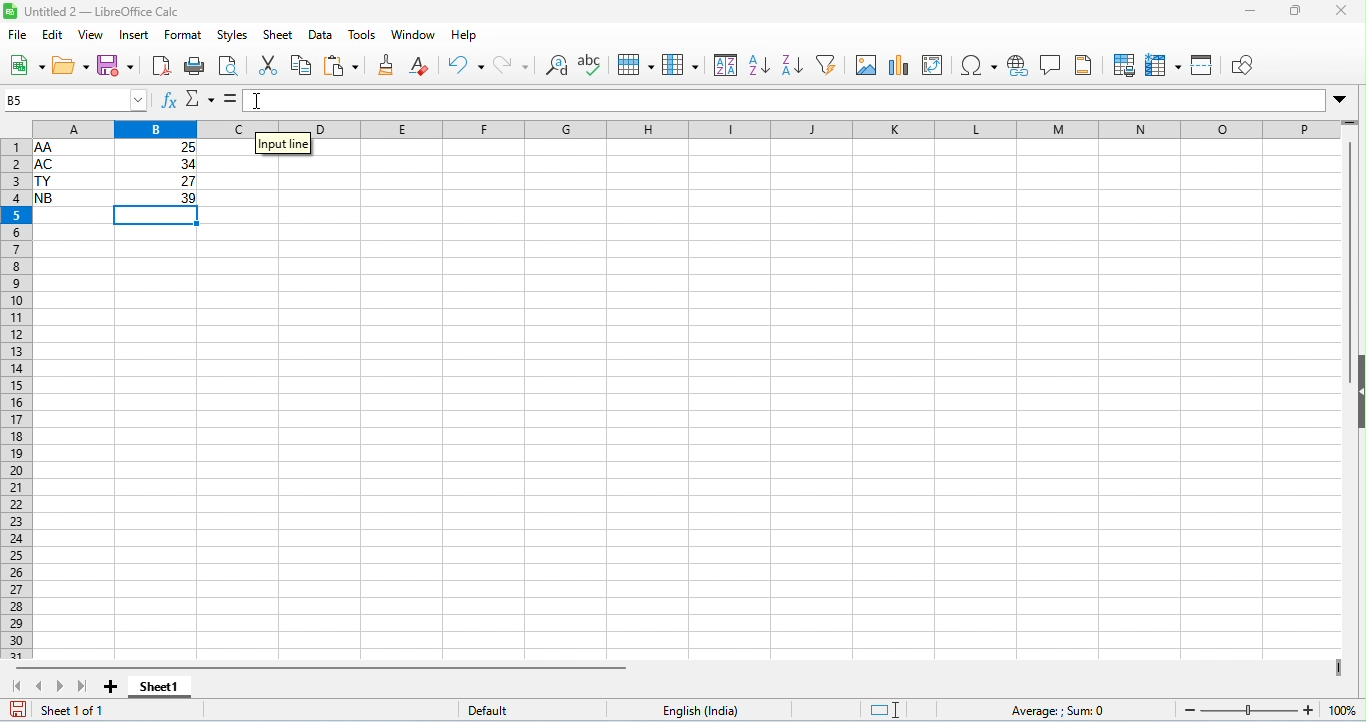  Describe the element at coordinates (322, 668) in the screenshot. I see `horizontal scroll bar` at that location.